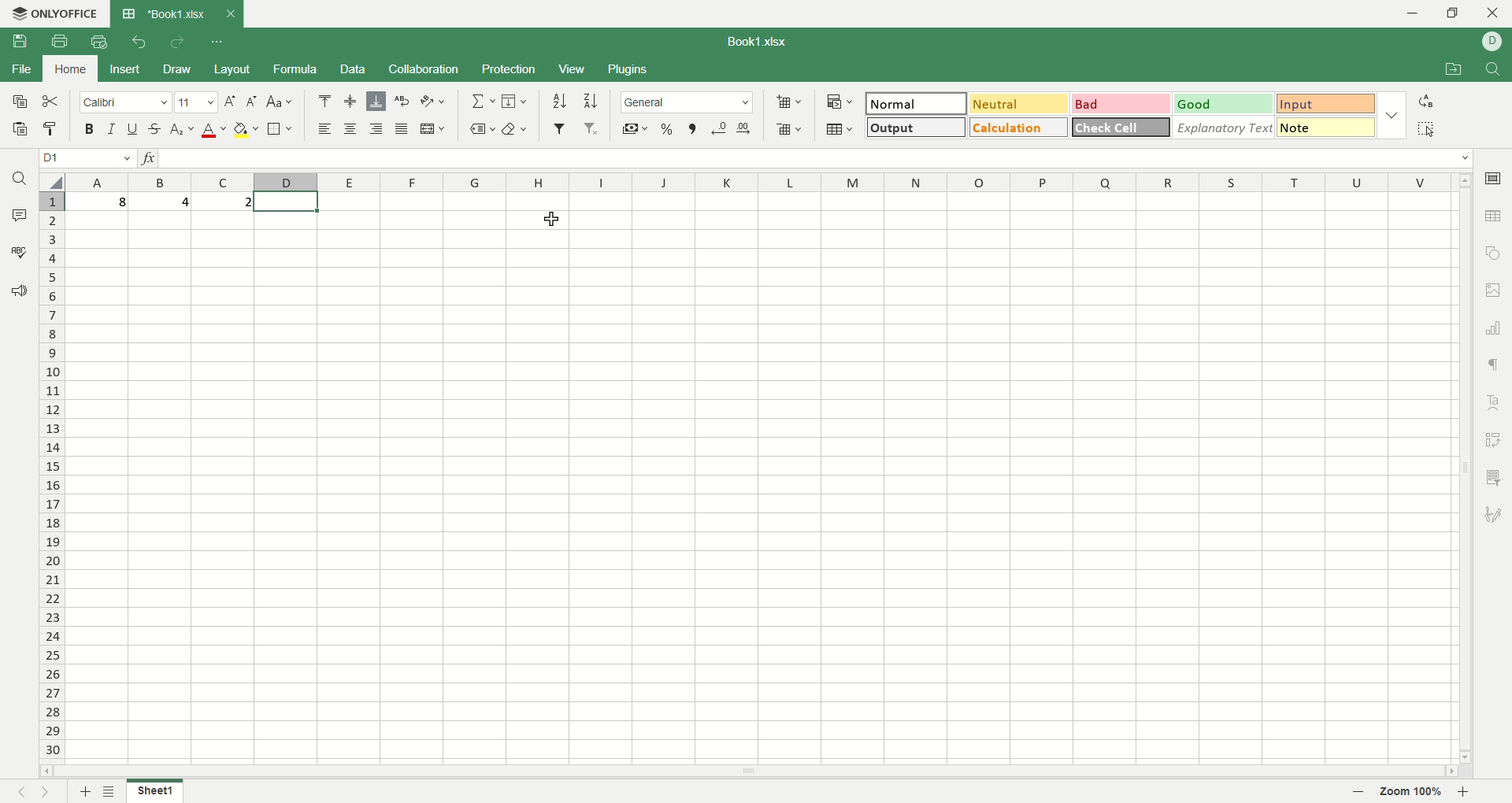  I want to click on style options, so click(1391, 114).